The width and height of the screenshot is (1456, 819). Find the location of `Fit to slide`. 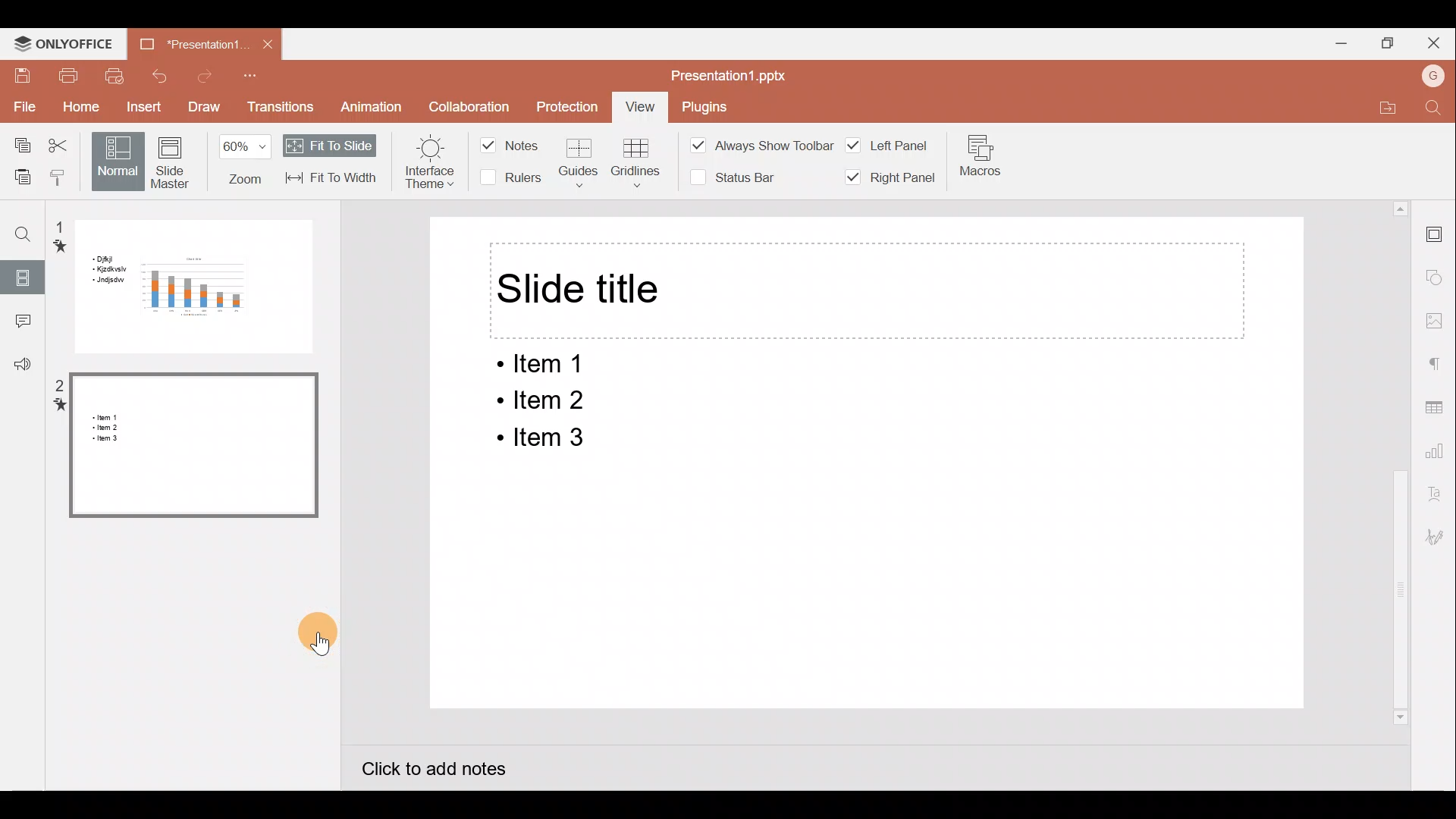

Fit to slide is located at coordinates (327, 145).